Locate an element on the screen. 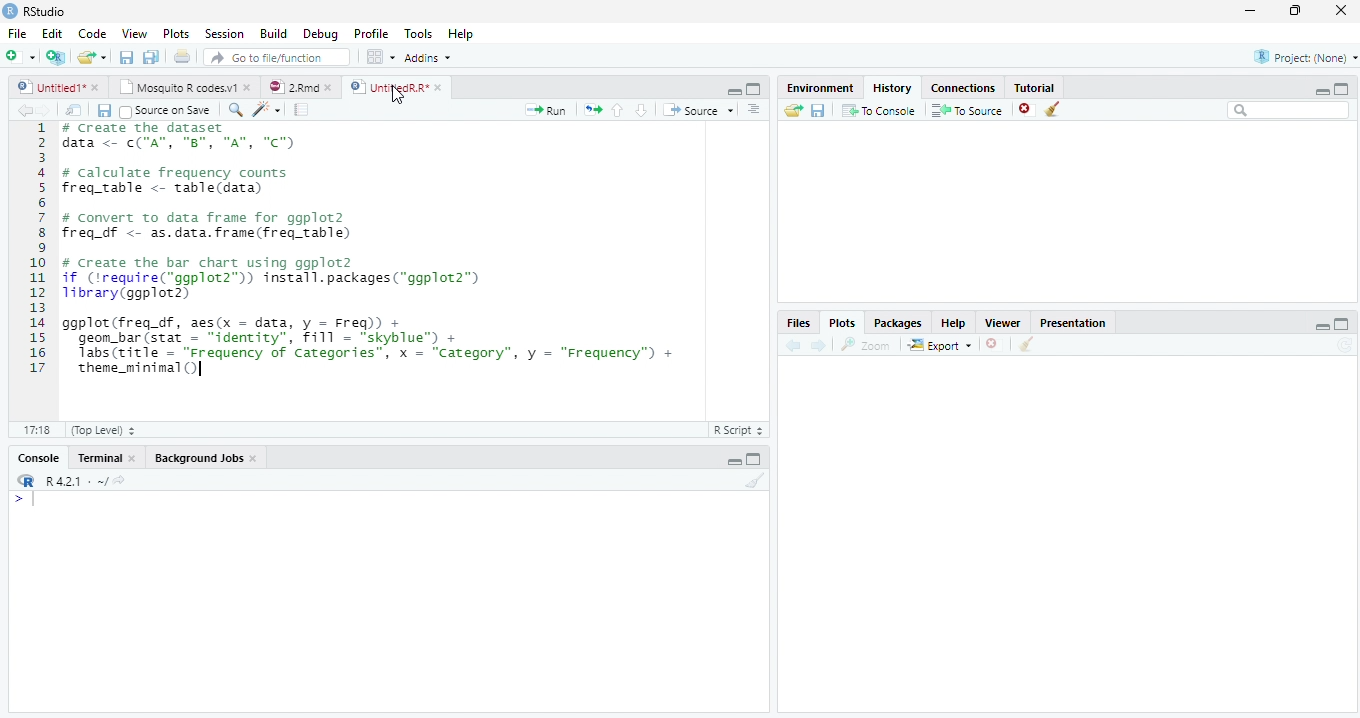  Maximize is located at coordinates (753, 90).